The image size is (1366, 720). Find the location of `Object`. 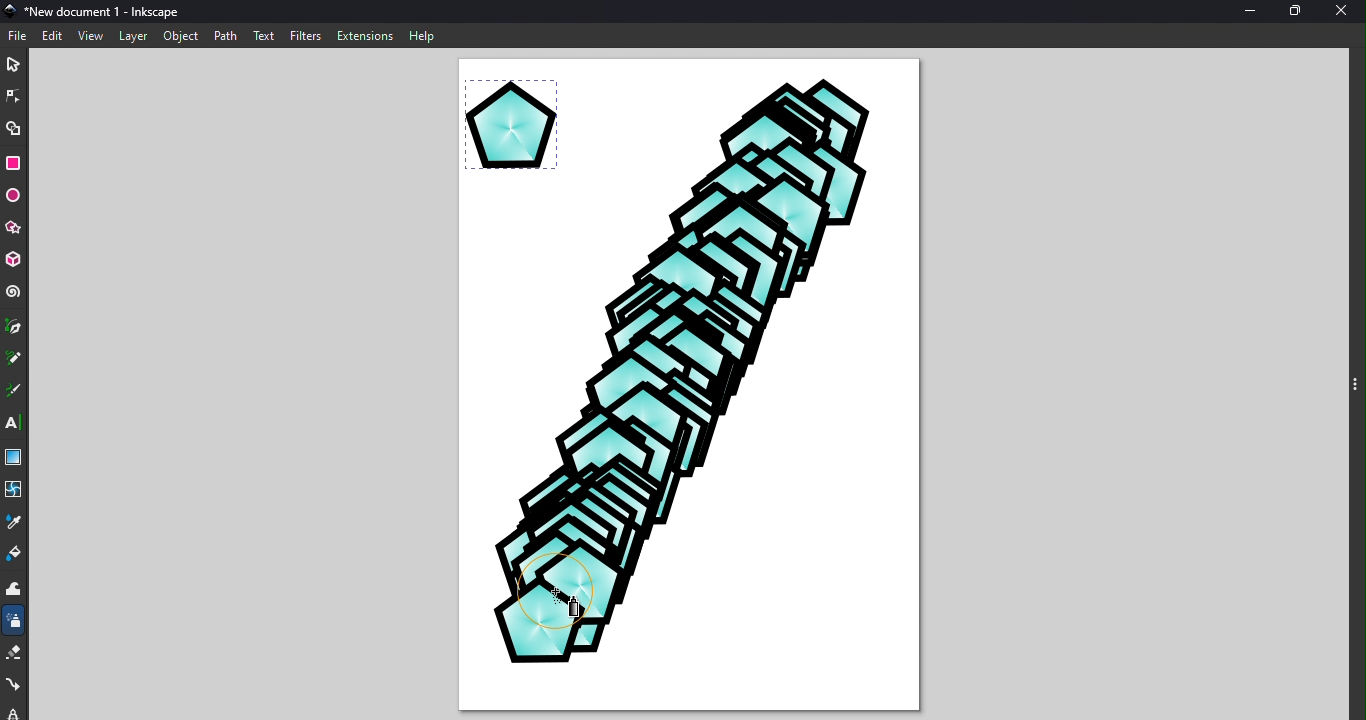

Object is located at coordinates (180, 38).